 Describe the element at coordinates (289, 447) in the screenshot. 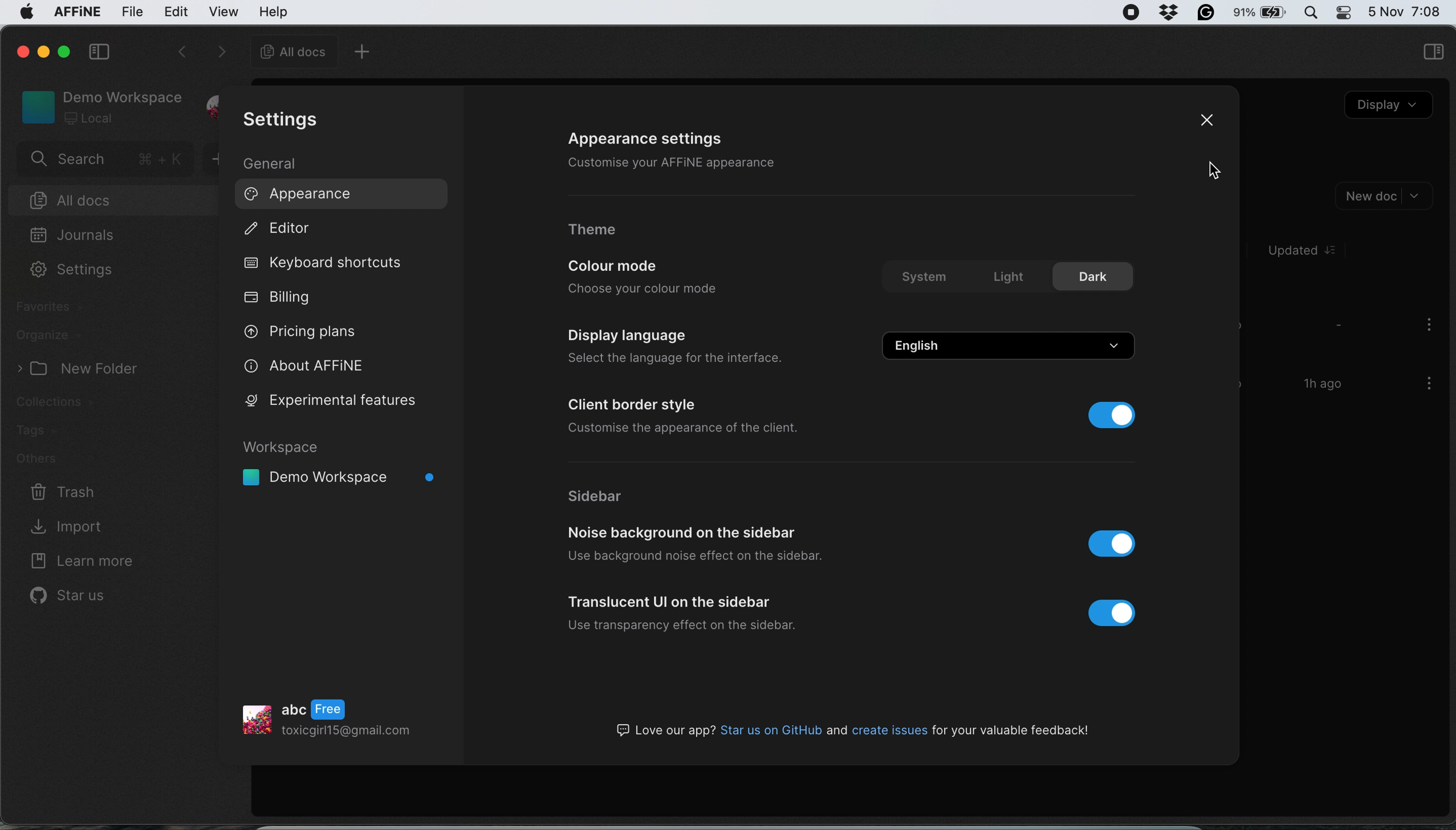

I see `Workspace` at that location.